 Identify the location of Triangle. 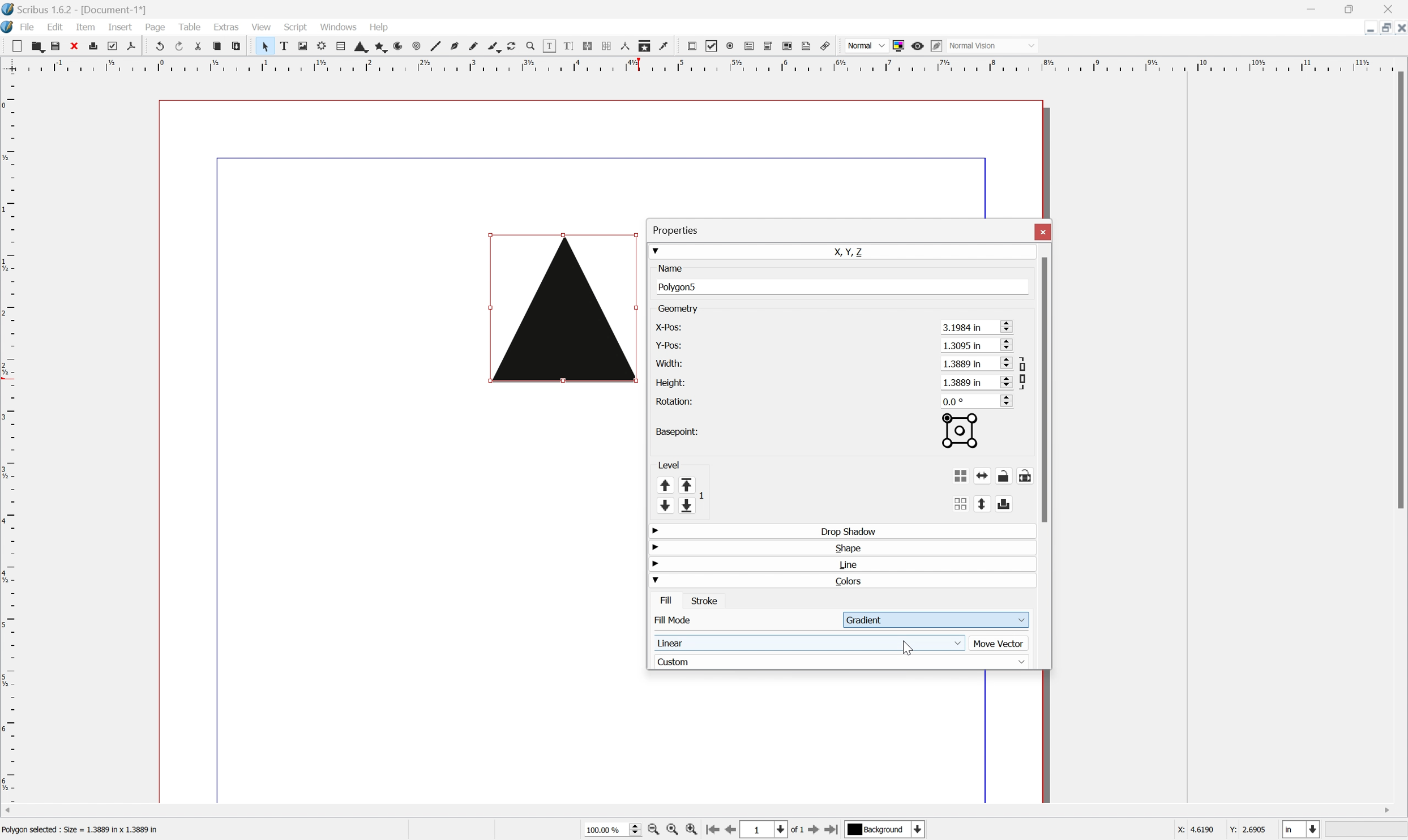
(564, 308).